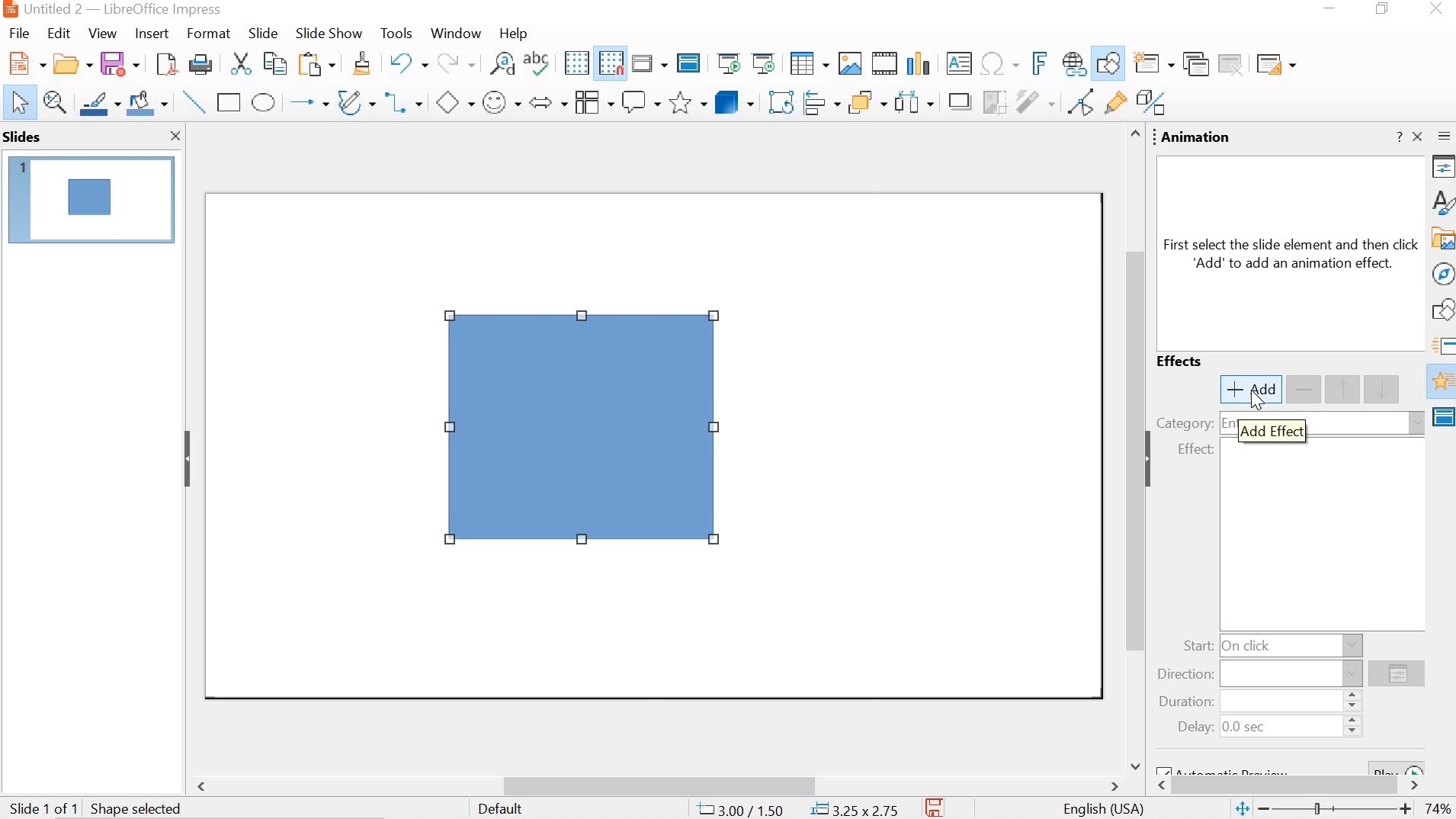 The image size is (1456, 819). What do you see at coordinates (1441, 383) in the screenshot?
I see `animation` at bounding box center [1441, 383].